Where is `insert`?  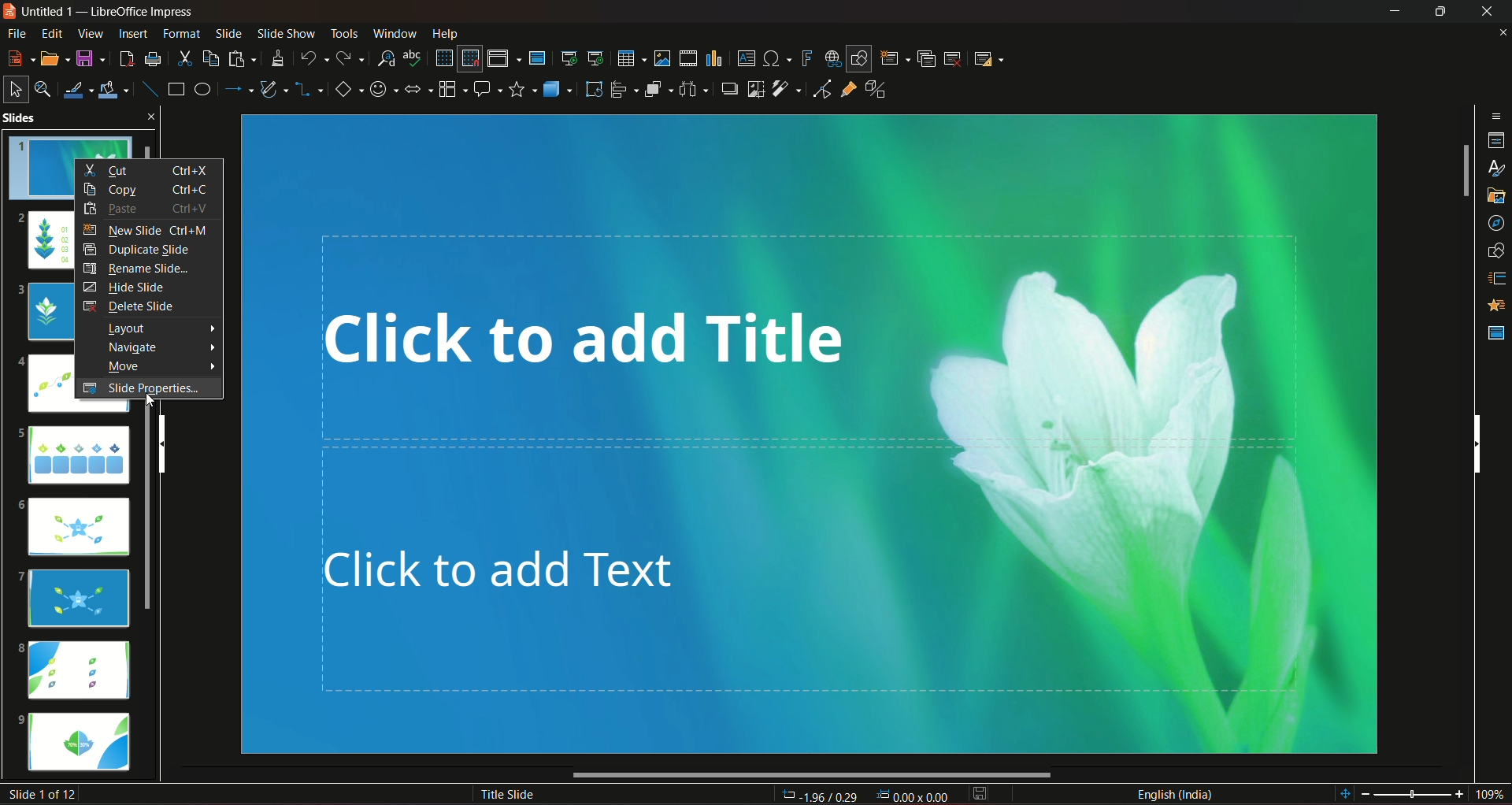
insert is located at coordinates (131, 33).